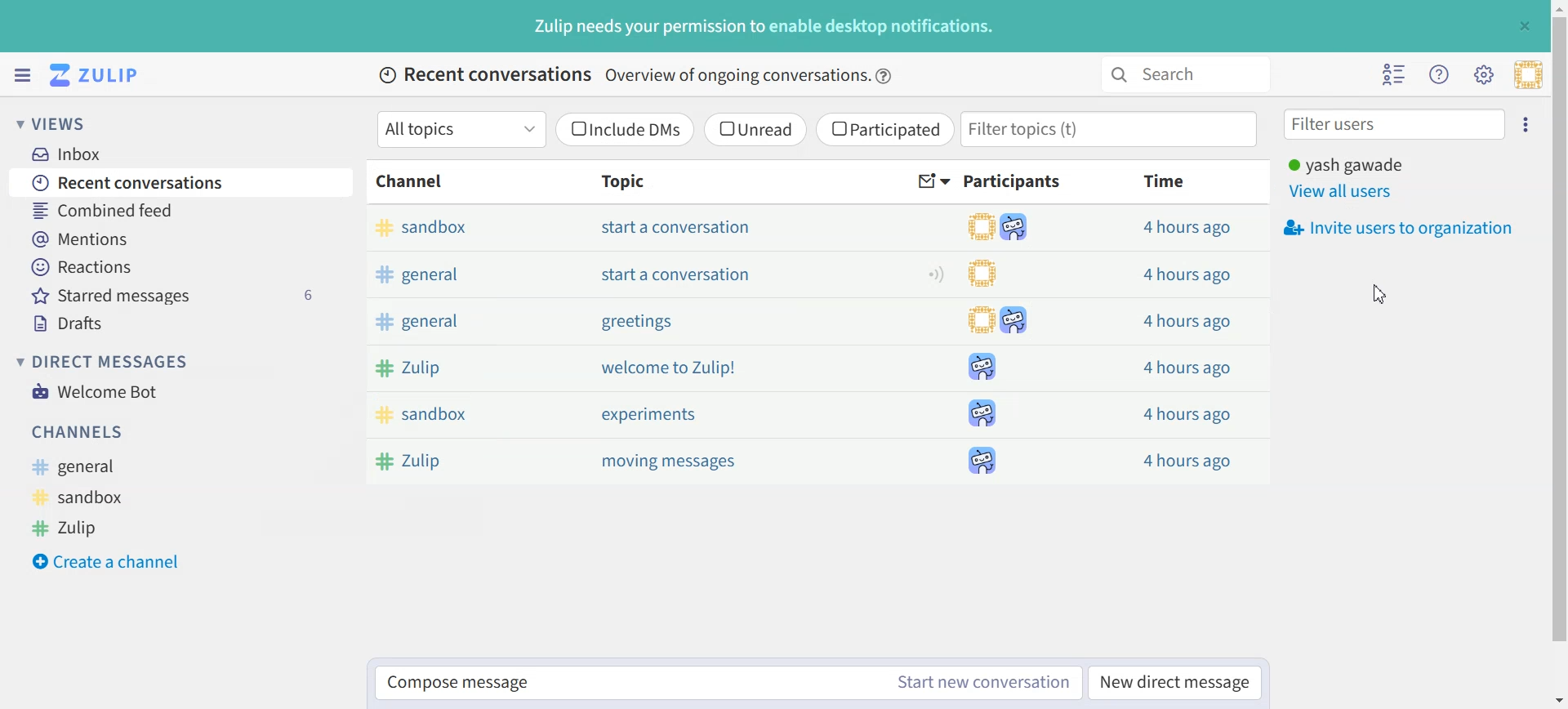 The width and height of the screenshot is (1568, 709). I want to click on Include DMs, so click(626, 129).